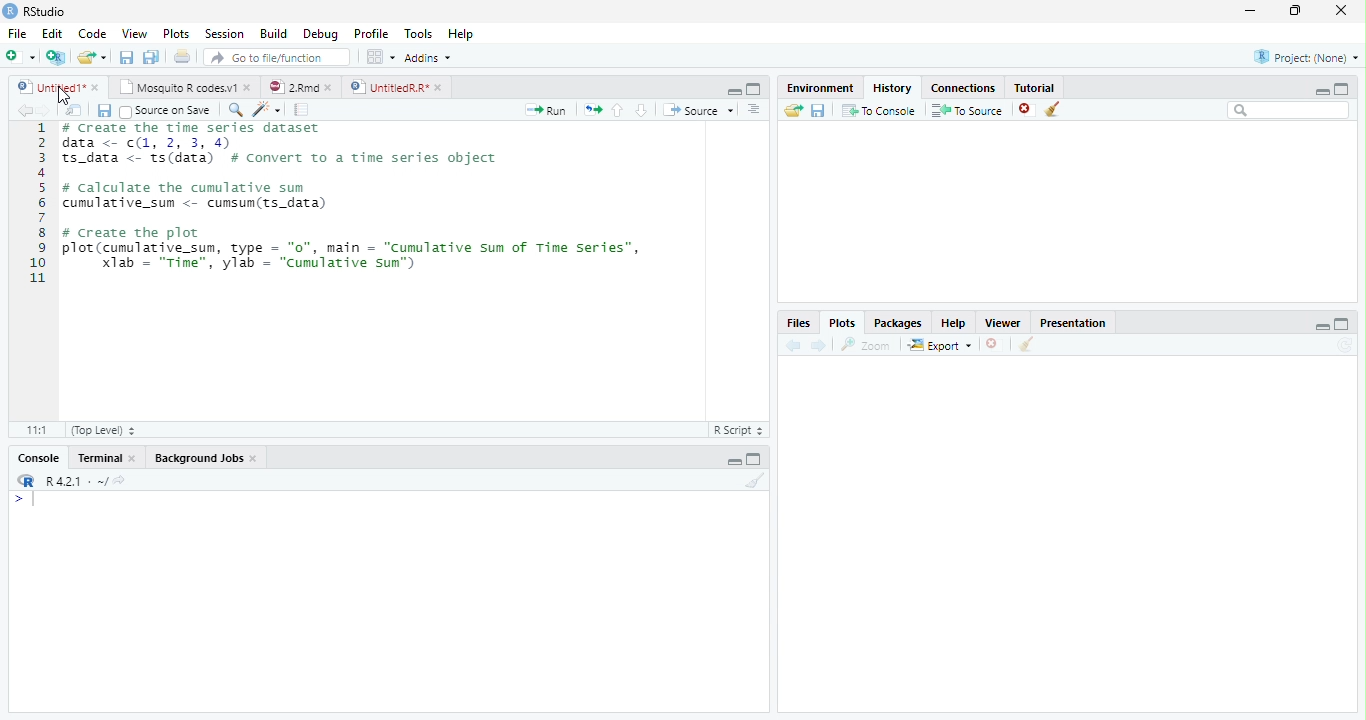 The height and width of the screenshot is (720, 1366). Describe the element at coordinates (1074, 324) in the screenshot. I see `Presentation` at that location.